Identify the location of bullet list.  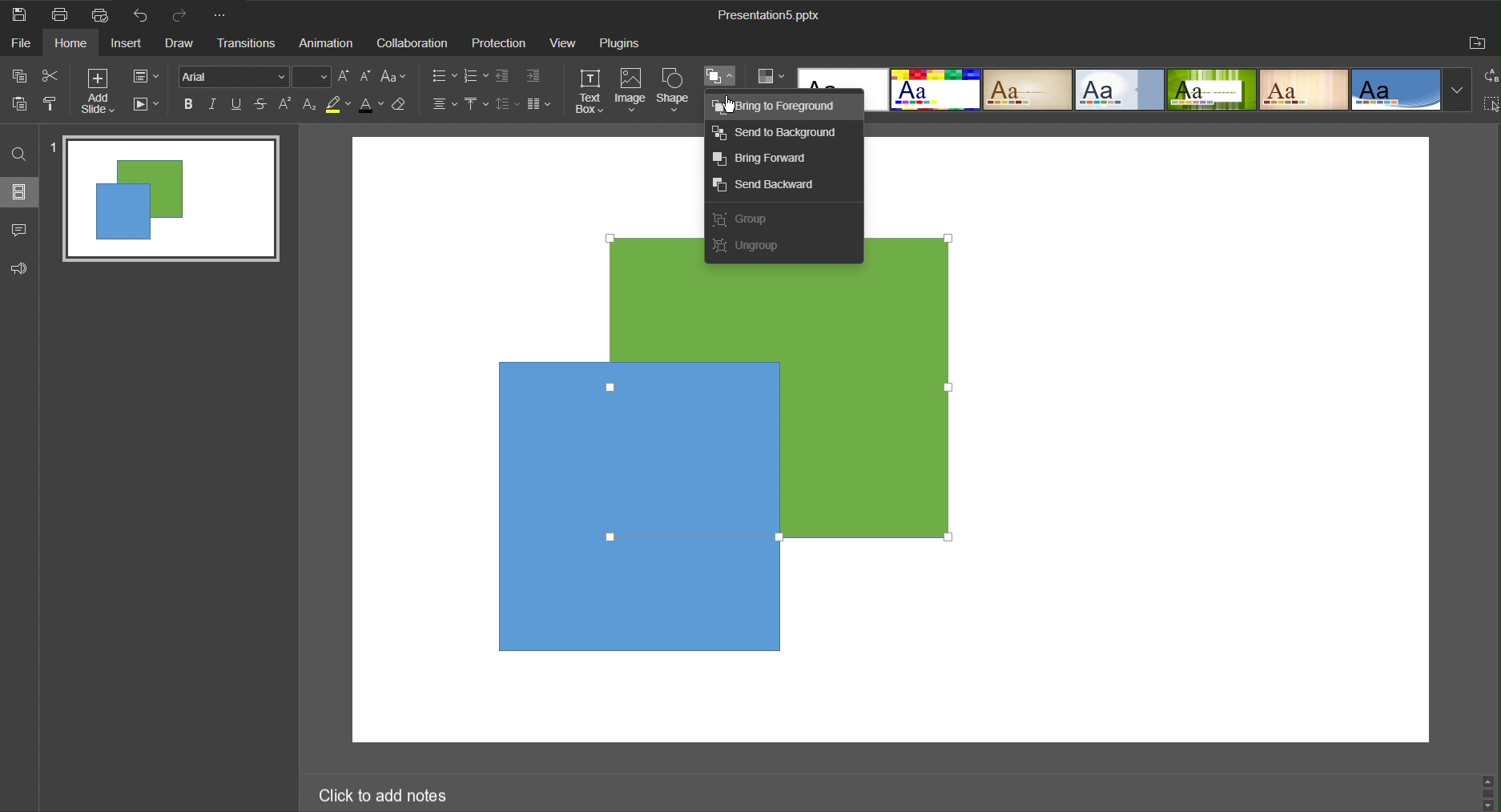
(441, 77).